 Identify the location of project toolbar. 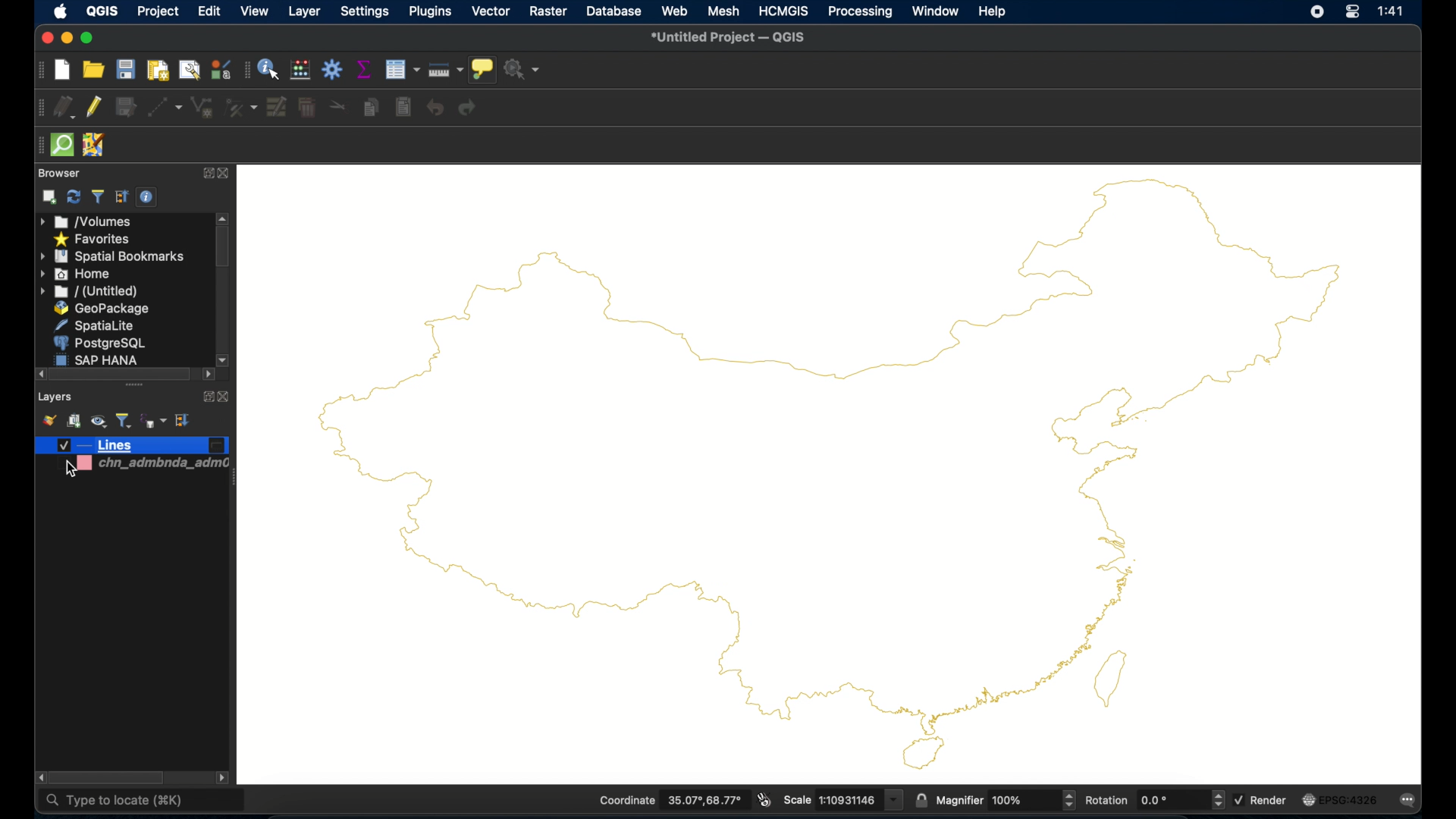
(42, 70).